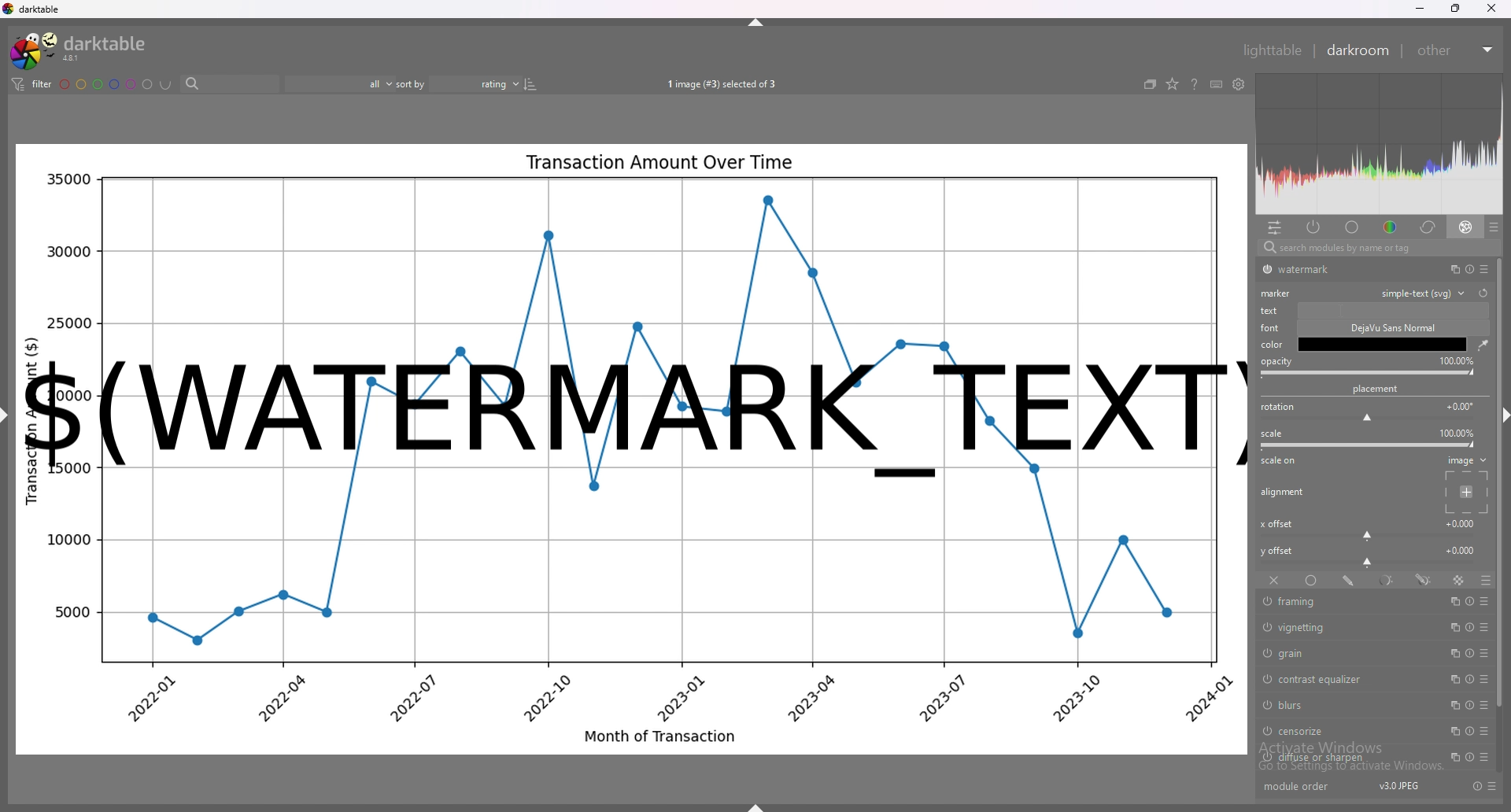  I want to click on vignetting, so click(1347, 629).